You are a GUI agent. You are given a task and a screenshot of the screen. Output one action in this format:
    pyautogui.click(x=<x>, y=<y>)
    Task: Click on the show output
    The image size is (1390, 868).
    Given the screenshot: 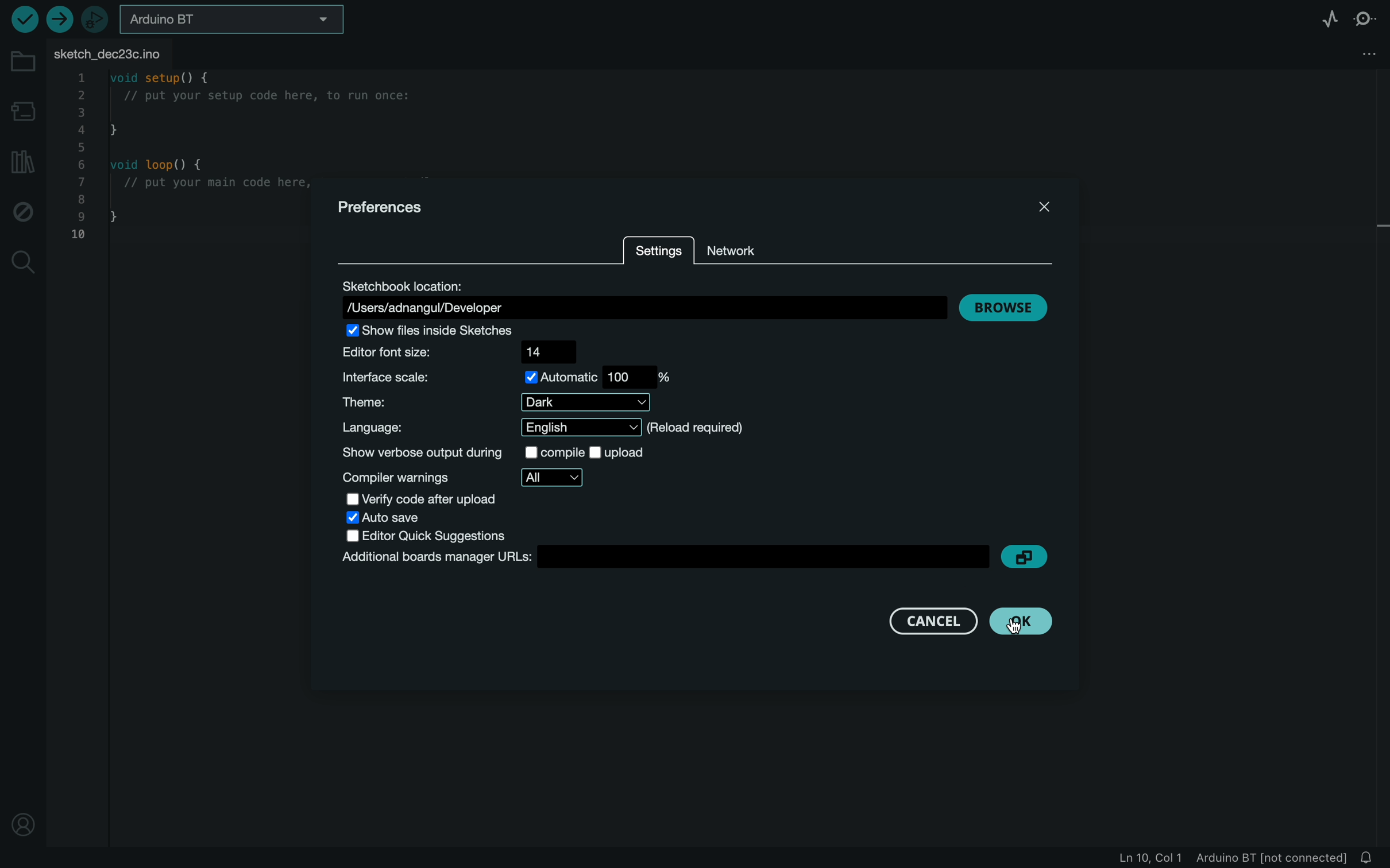 What is the action you would take?
    pyautogui.click(x=513, y=451)
    